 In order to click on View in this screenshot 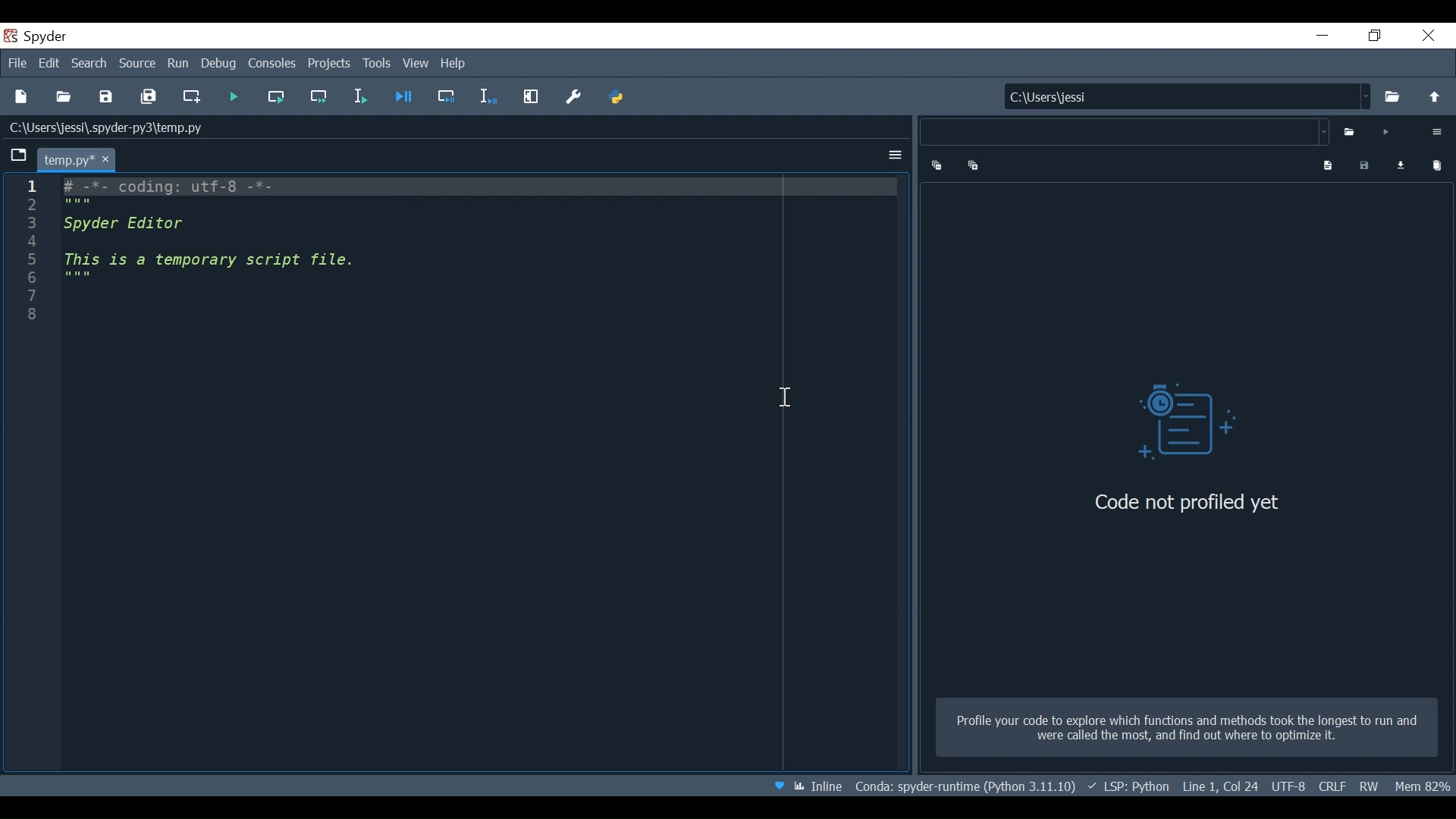, I will do `click(418, 65)`.